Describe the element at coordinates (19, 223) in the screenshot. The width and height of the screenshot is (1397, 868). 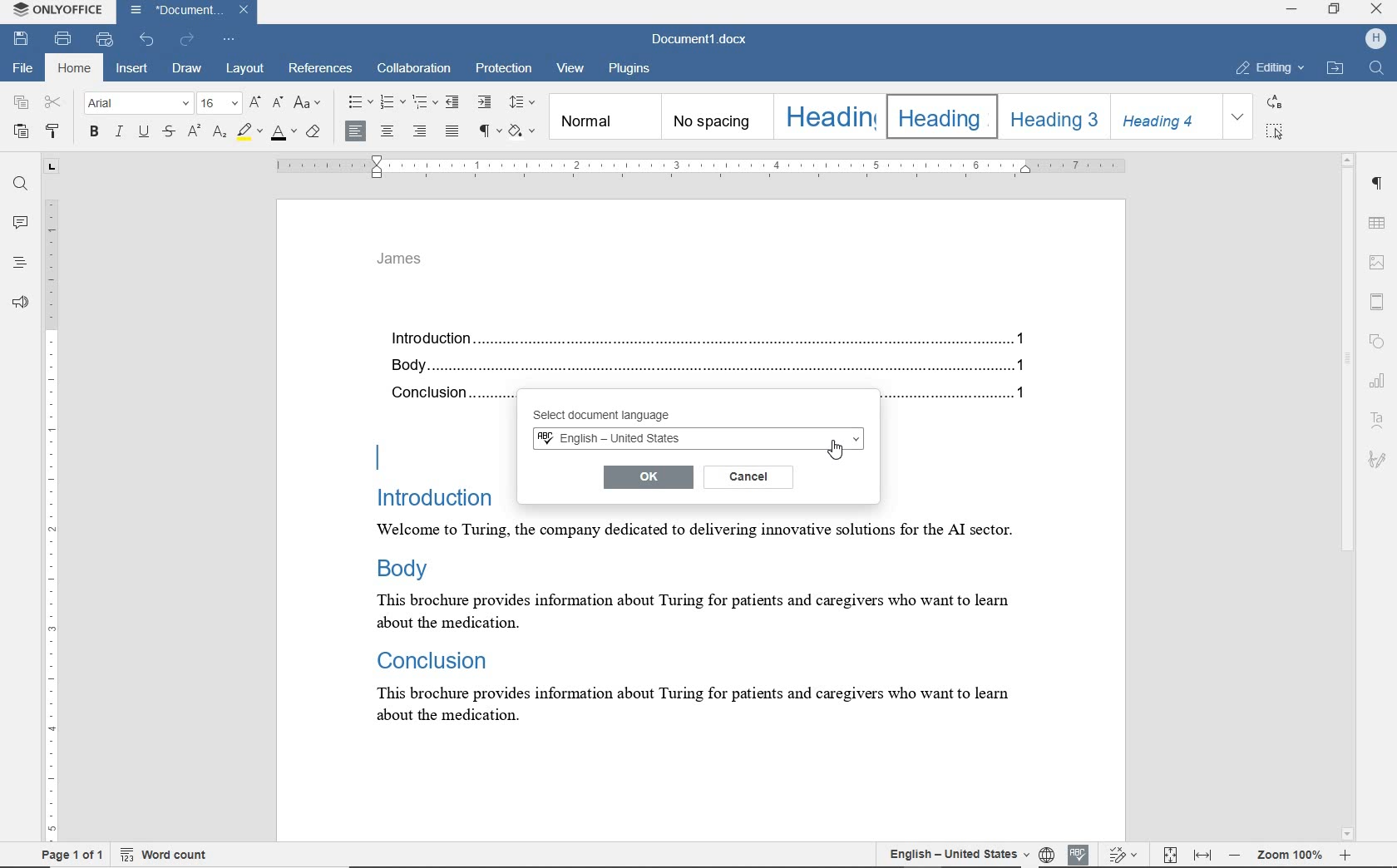
I see `comments` at that location.